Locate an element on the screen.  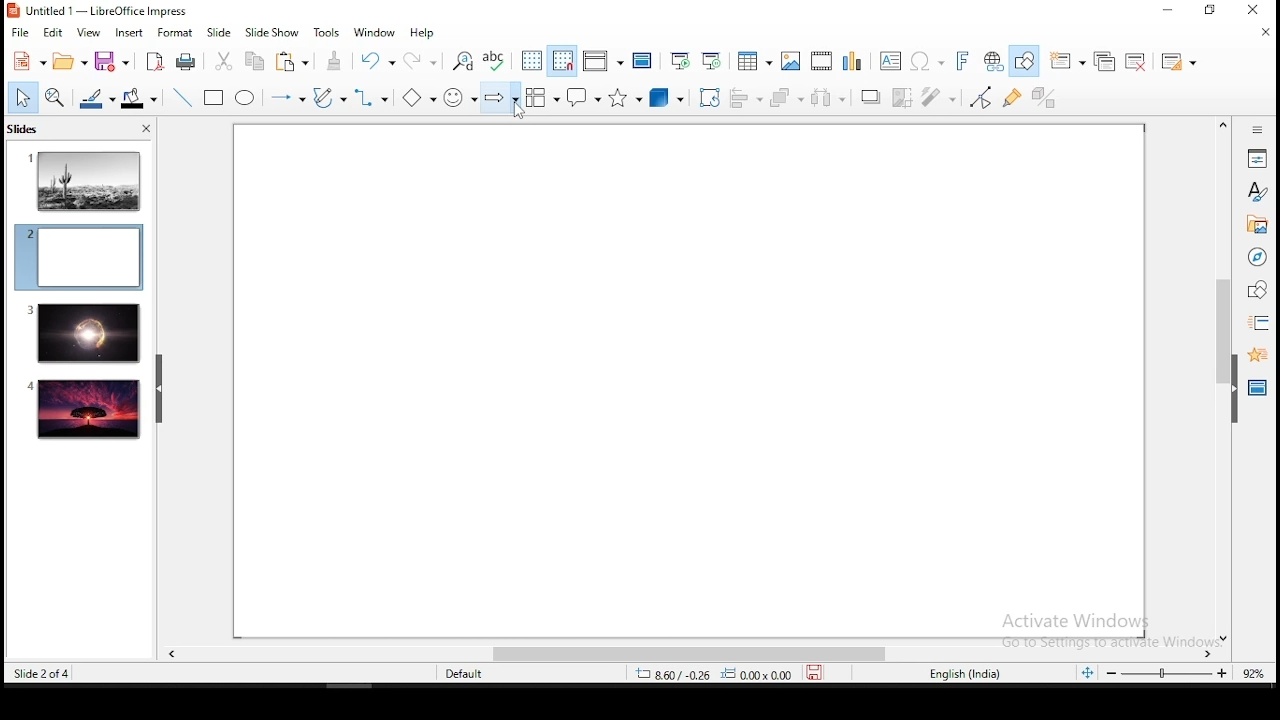
redo is located at coordinates (423, 58).